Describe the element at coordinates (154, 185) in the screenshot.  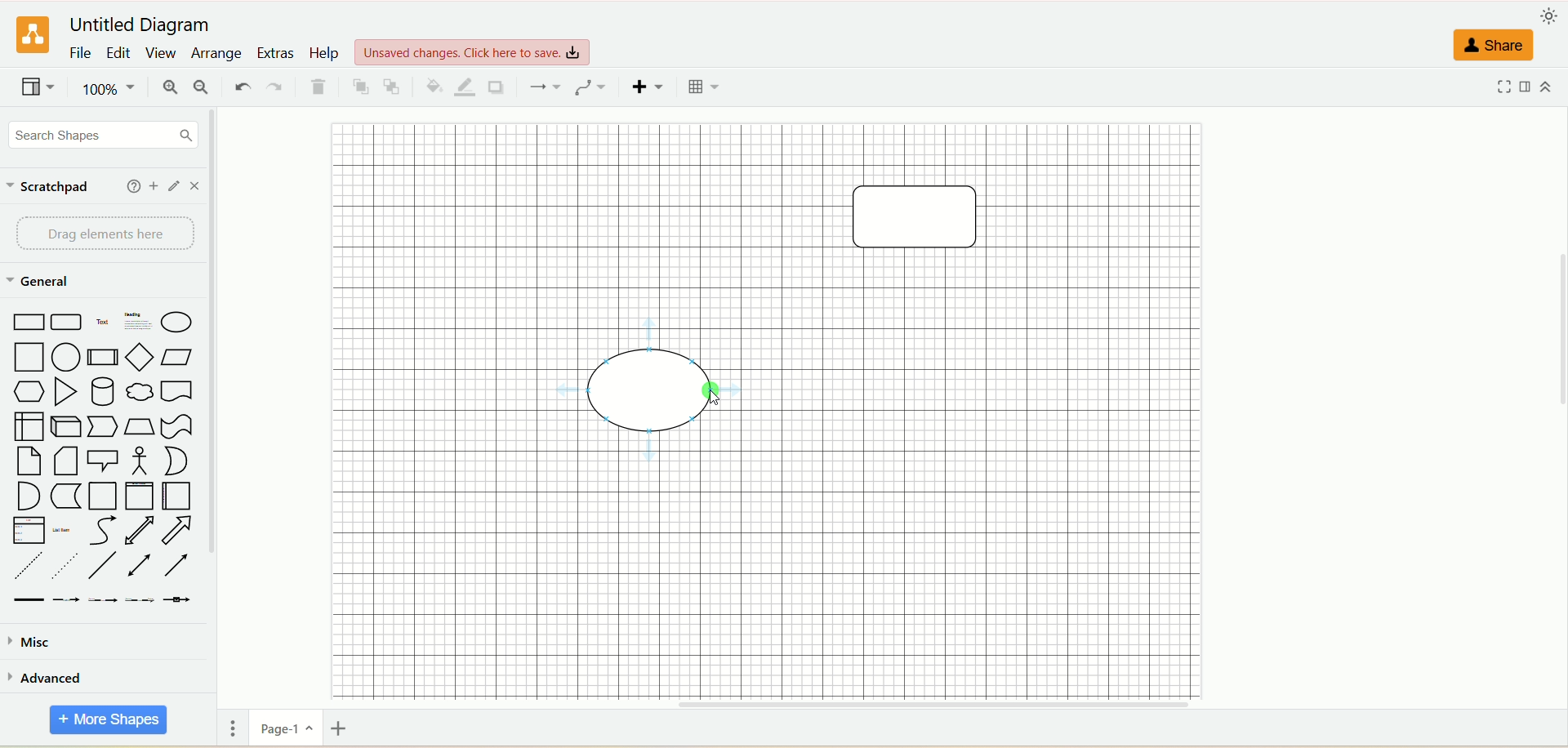
I see `add` at that location.